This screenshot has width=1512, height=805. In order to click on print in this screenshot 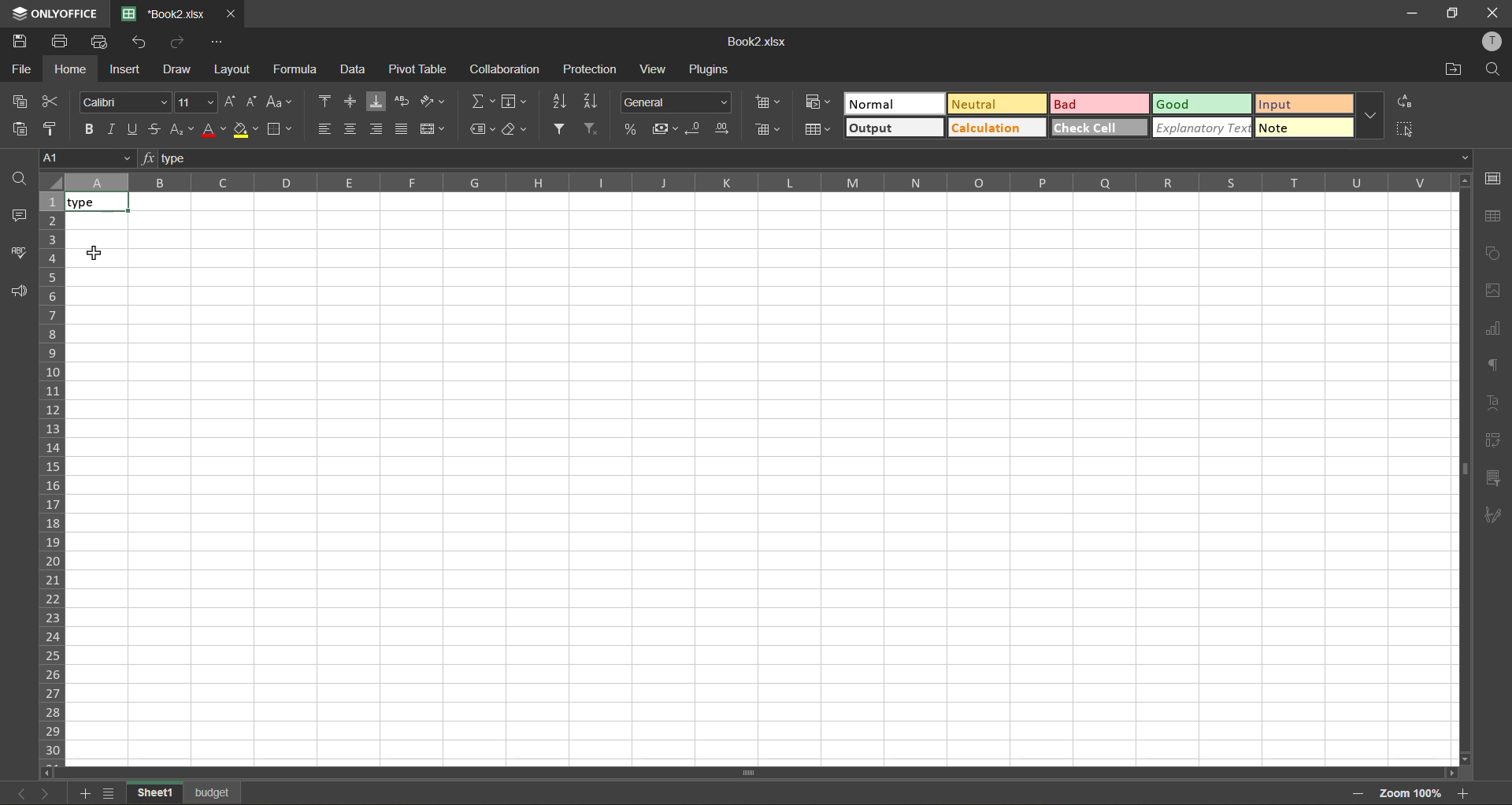, I will do `click(62, 43)`.